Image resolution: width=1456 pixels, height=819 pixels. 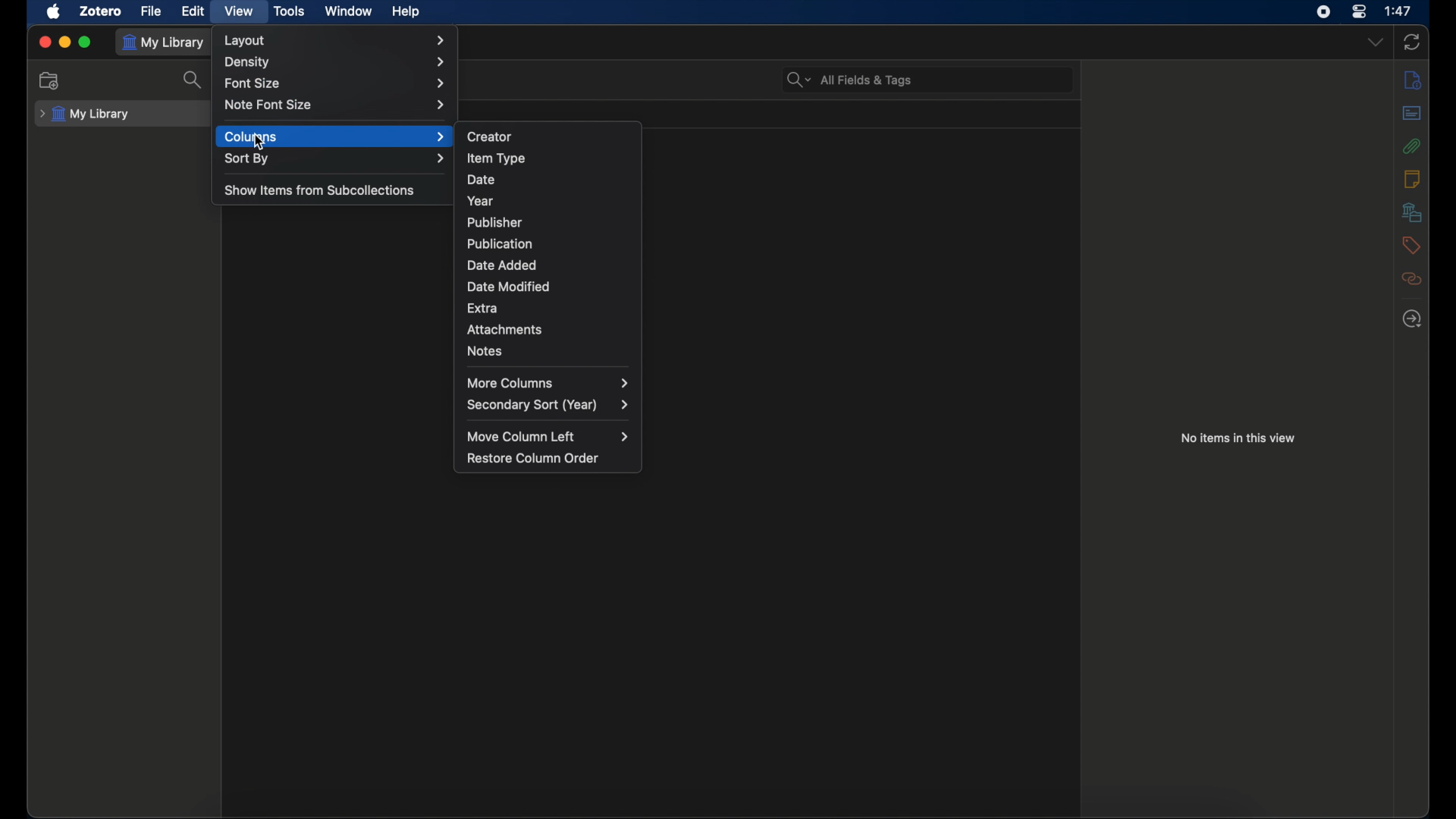 What do you see at coordinates (483, 307) in the screenshot?
I see `extra` at bounding box center [483, 307].